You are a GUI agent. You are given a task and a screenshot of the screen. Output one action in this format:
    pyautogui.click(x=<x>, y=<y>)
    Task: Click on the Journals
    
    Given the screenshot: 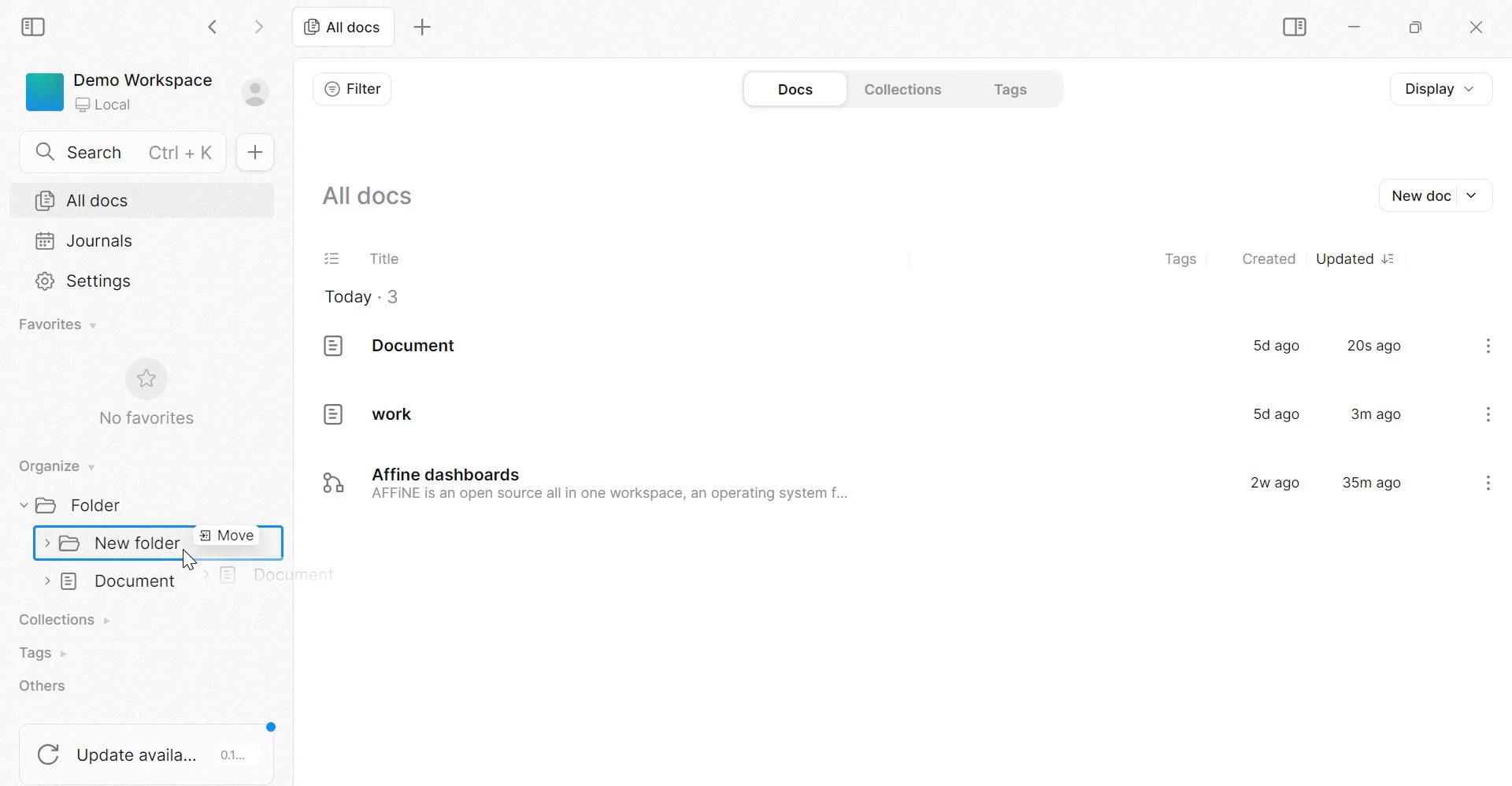 What is the action you would take?
    pyautogui.click(x=86, y=240)
    